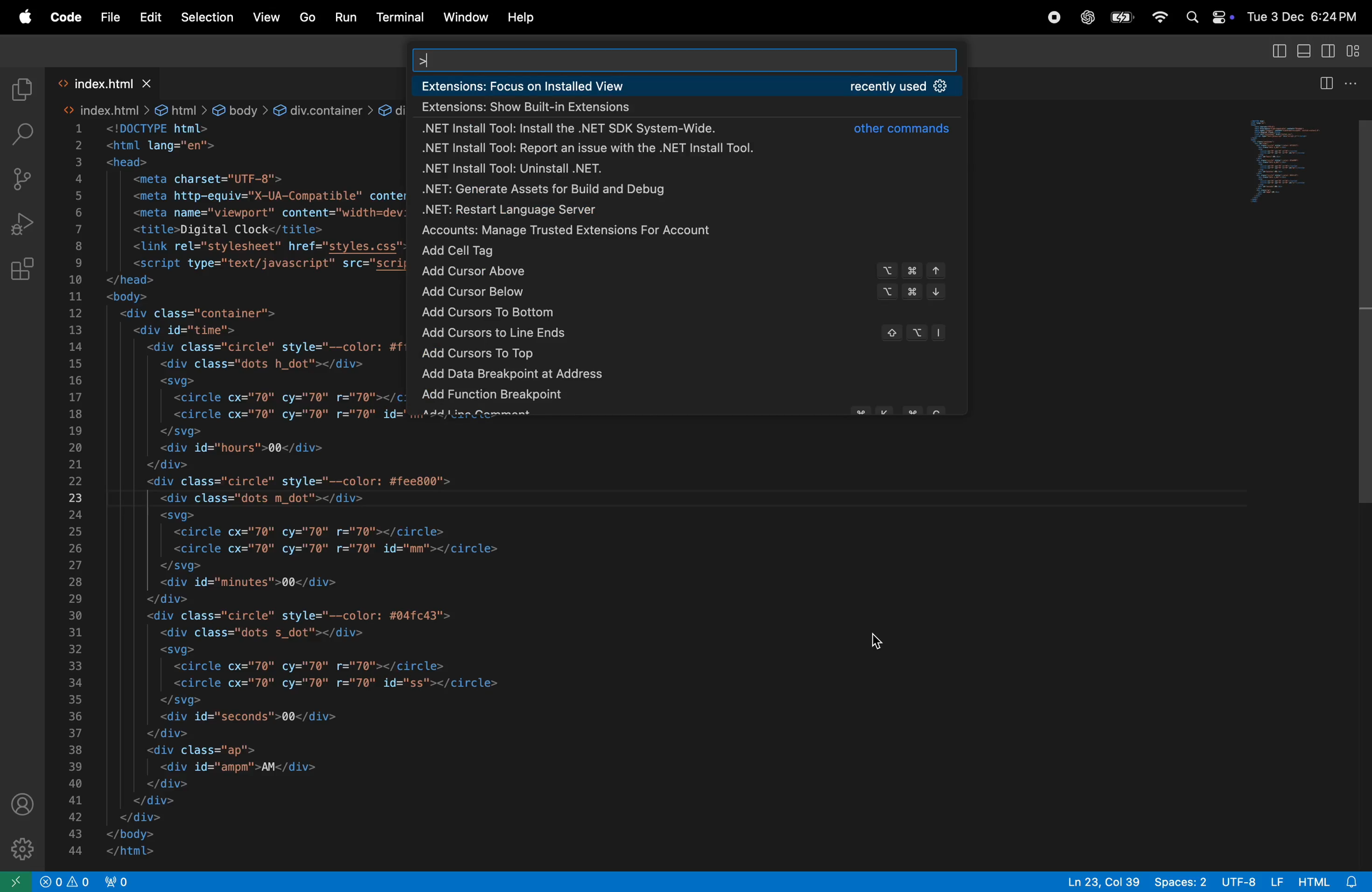  What do you see at coordinates (1280, 52) in the screenshot?
I see `toggle side bar` at bounding box center [1280, 52].